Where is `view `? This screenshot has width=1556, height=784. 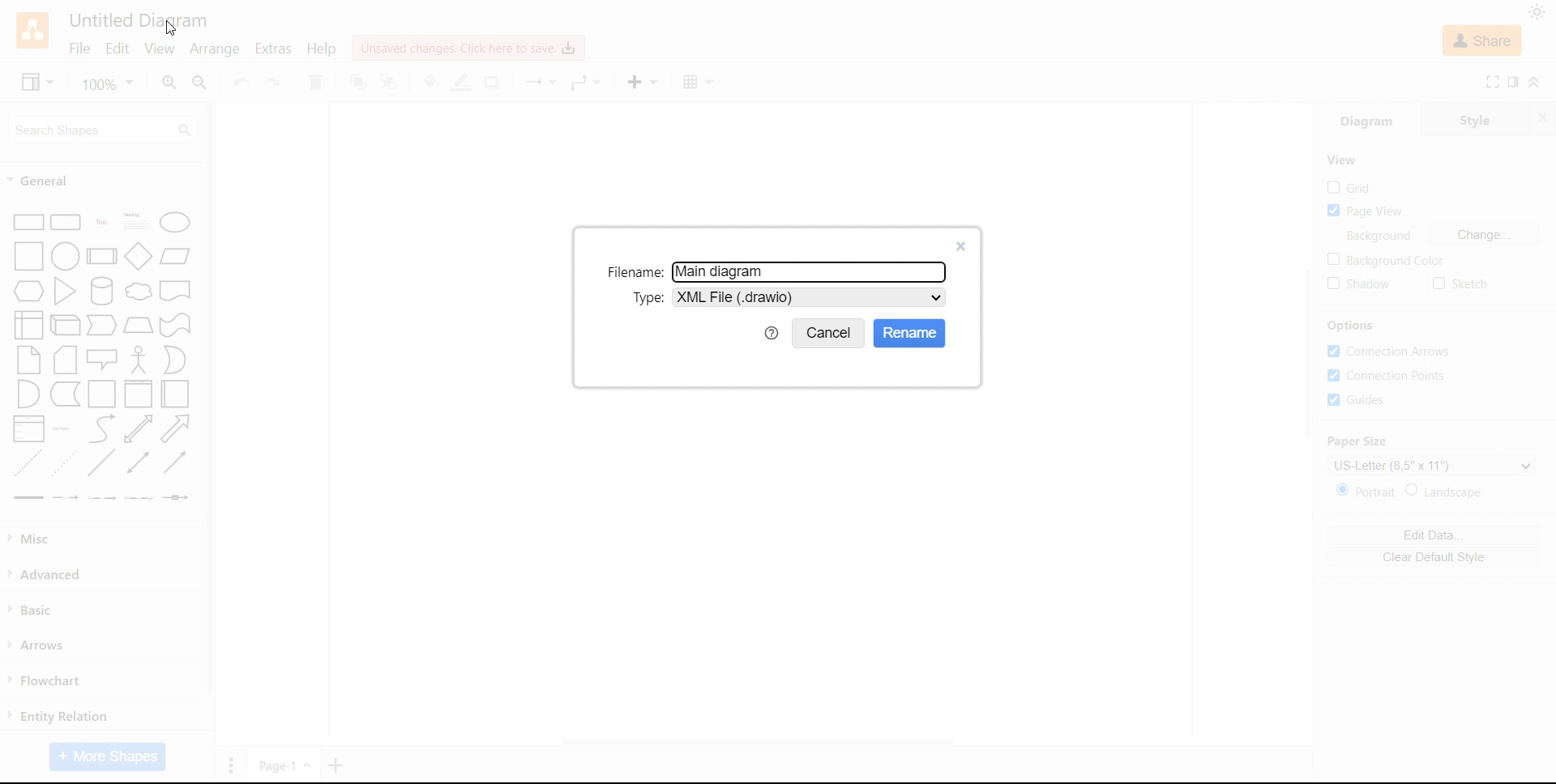
view  is located at coordinates (1342, 160).